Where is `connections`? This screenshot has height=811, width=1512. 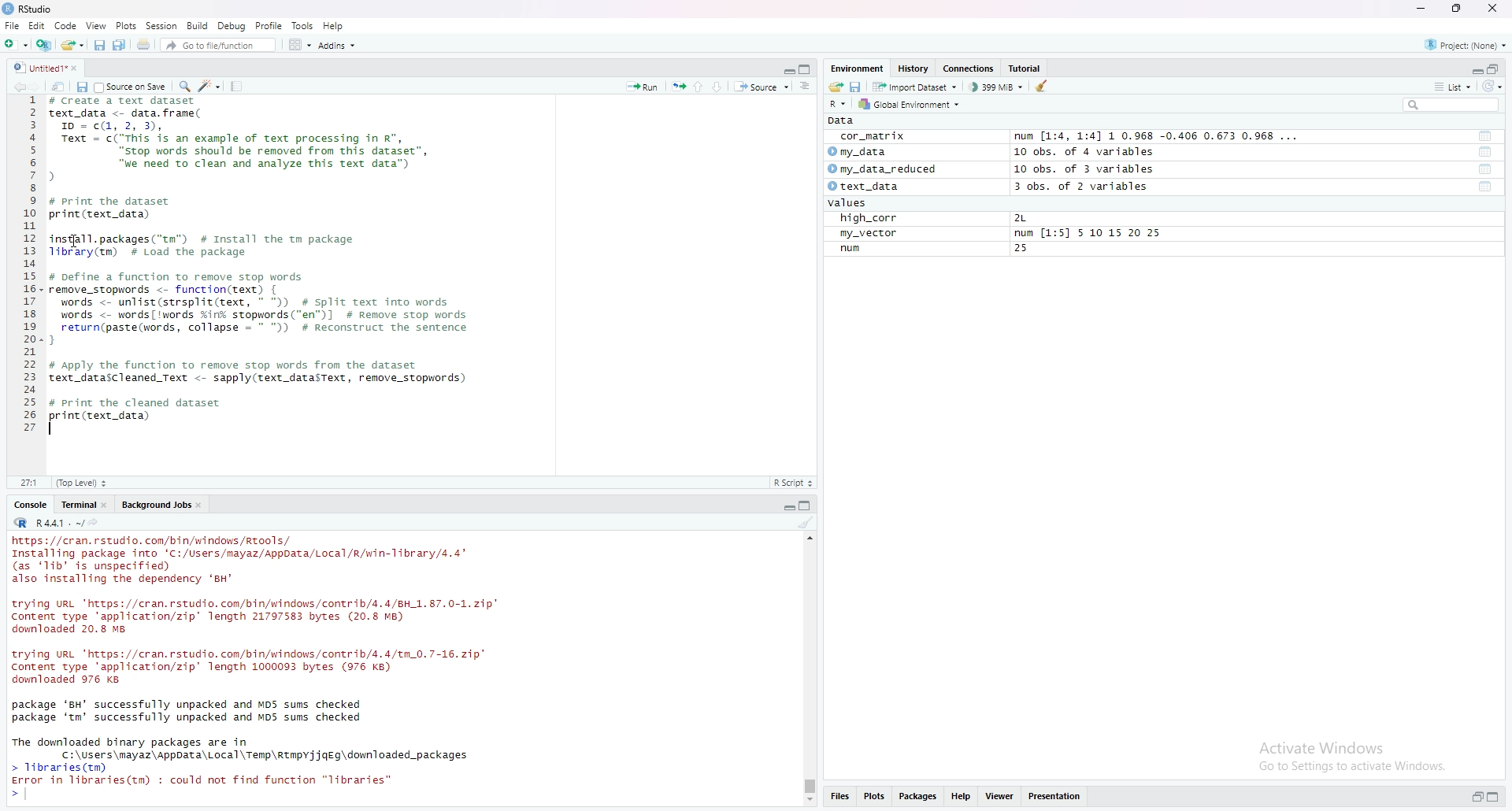 connections is located at coordinates (971, 69).